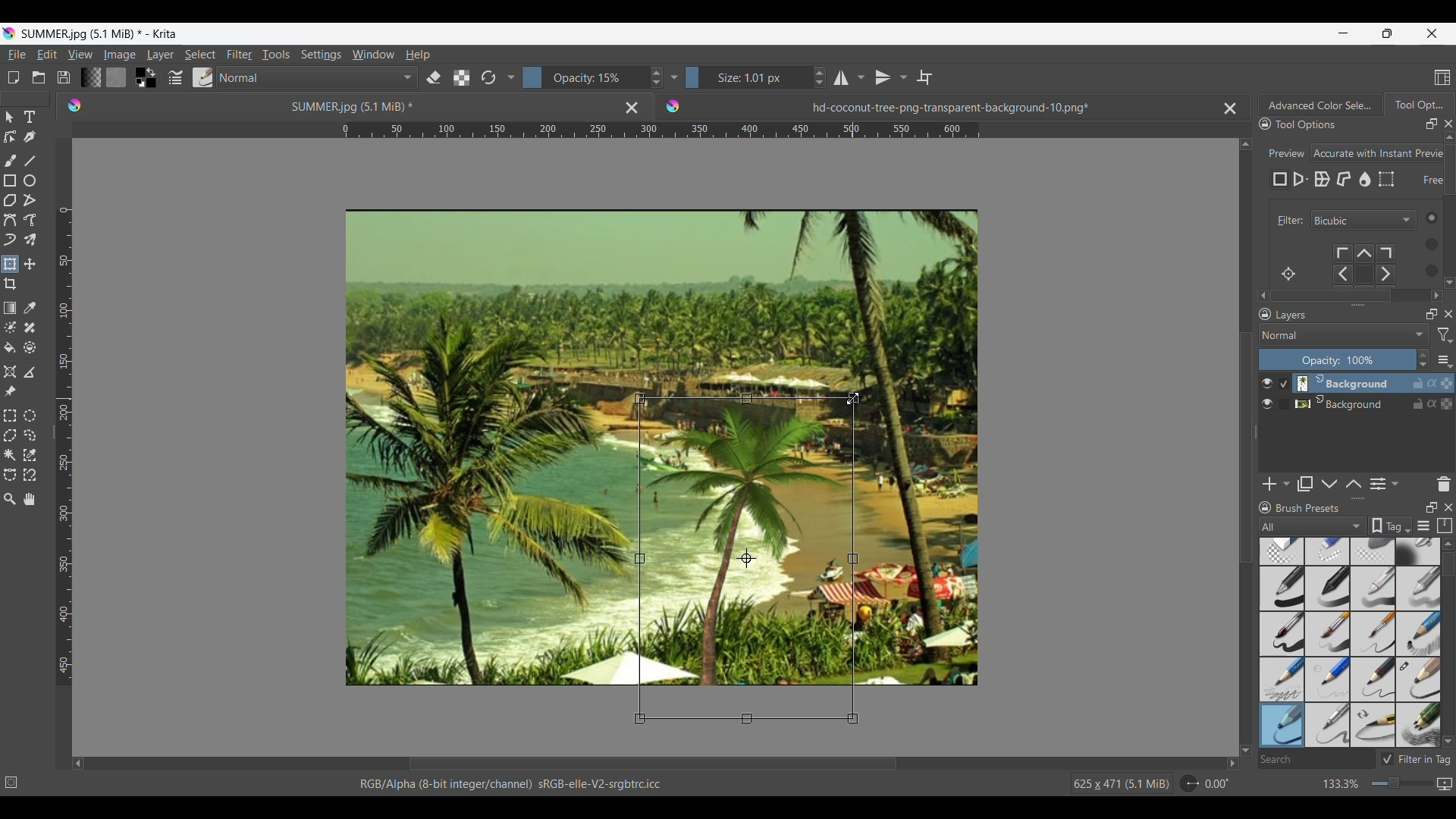  I want to click on Slideshow, so click(1444, 781).